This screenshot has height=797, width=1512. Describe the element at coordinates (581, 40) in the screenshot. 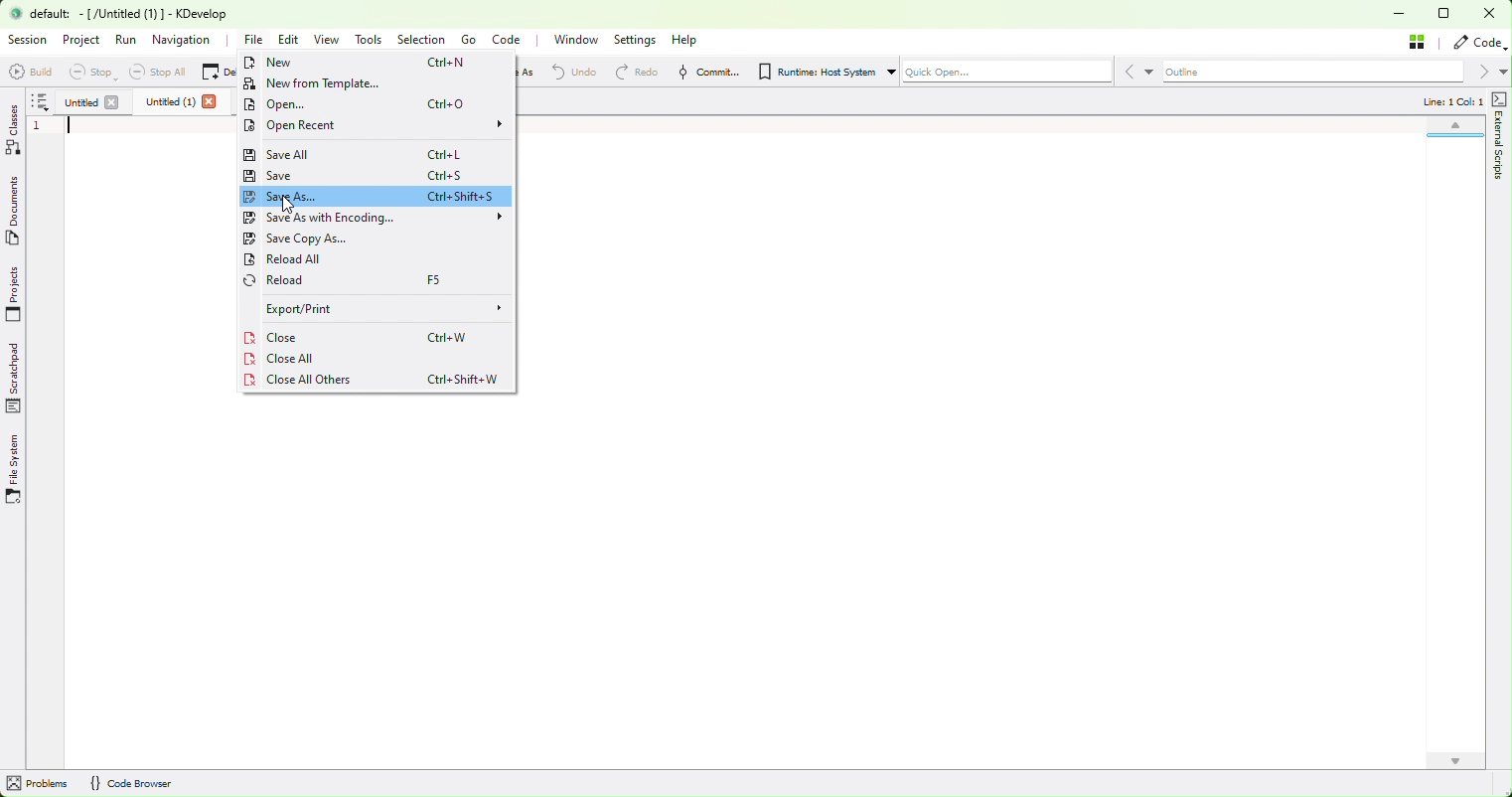

I see `Window` at that location.